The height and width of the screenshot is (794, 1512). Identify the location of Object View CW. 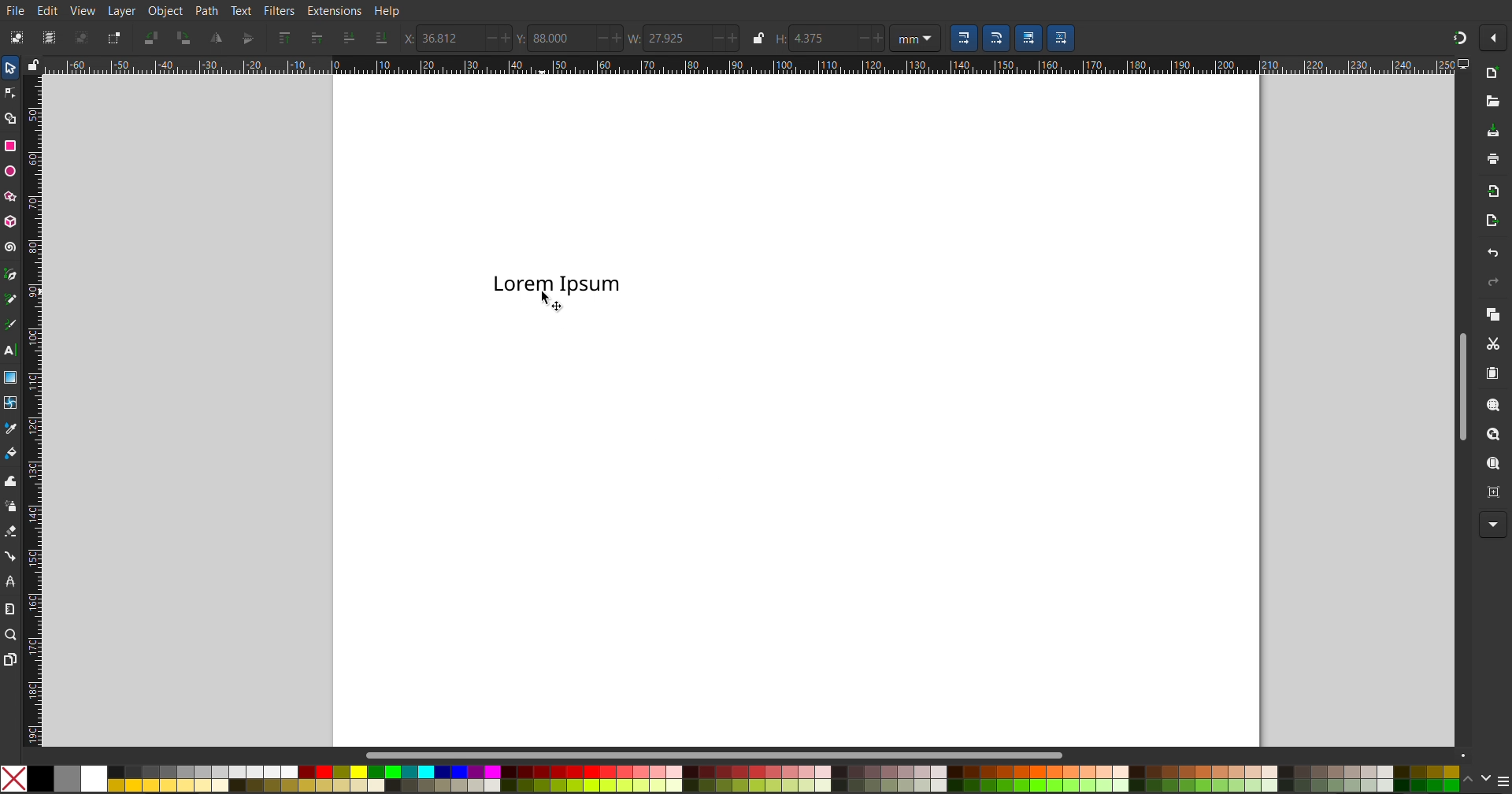
(183, 38).